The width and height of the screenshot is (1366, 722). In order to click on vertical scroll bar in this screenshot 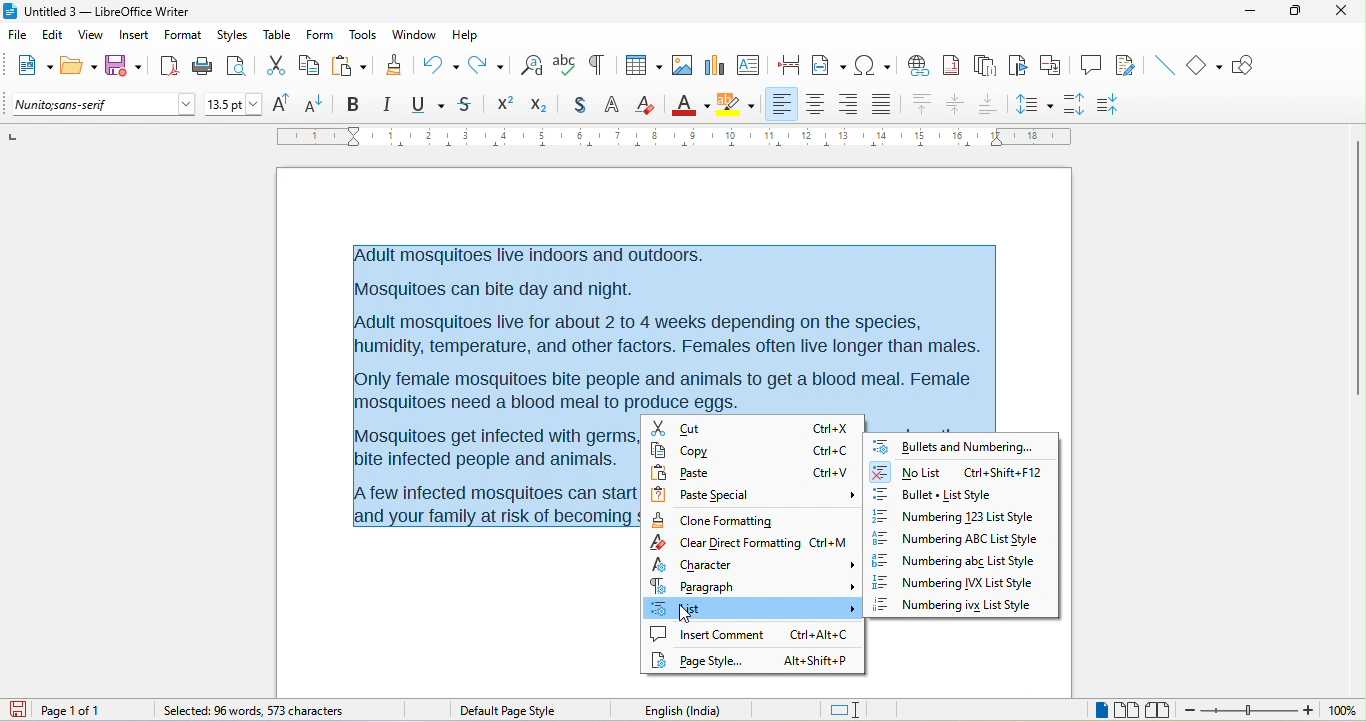, I will do `click(1357, 266)`.